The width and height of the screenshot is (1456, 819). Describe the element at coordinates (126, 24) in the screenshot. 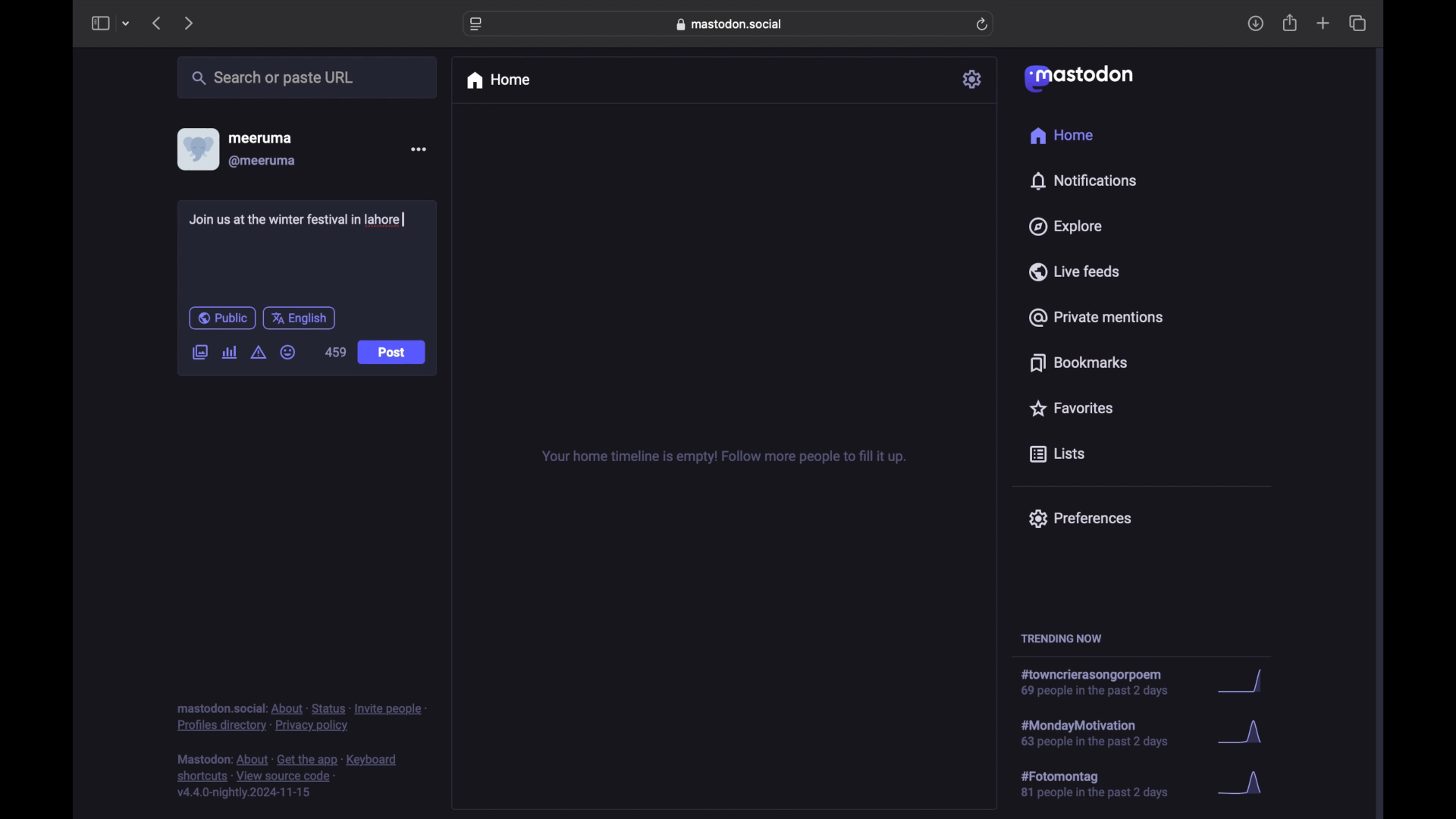

I see `tab group picker` at that location.